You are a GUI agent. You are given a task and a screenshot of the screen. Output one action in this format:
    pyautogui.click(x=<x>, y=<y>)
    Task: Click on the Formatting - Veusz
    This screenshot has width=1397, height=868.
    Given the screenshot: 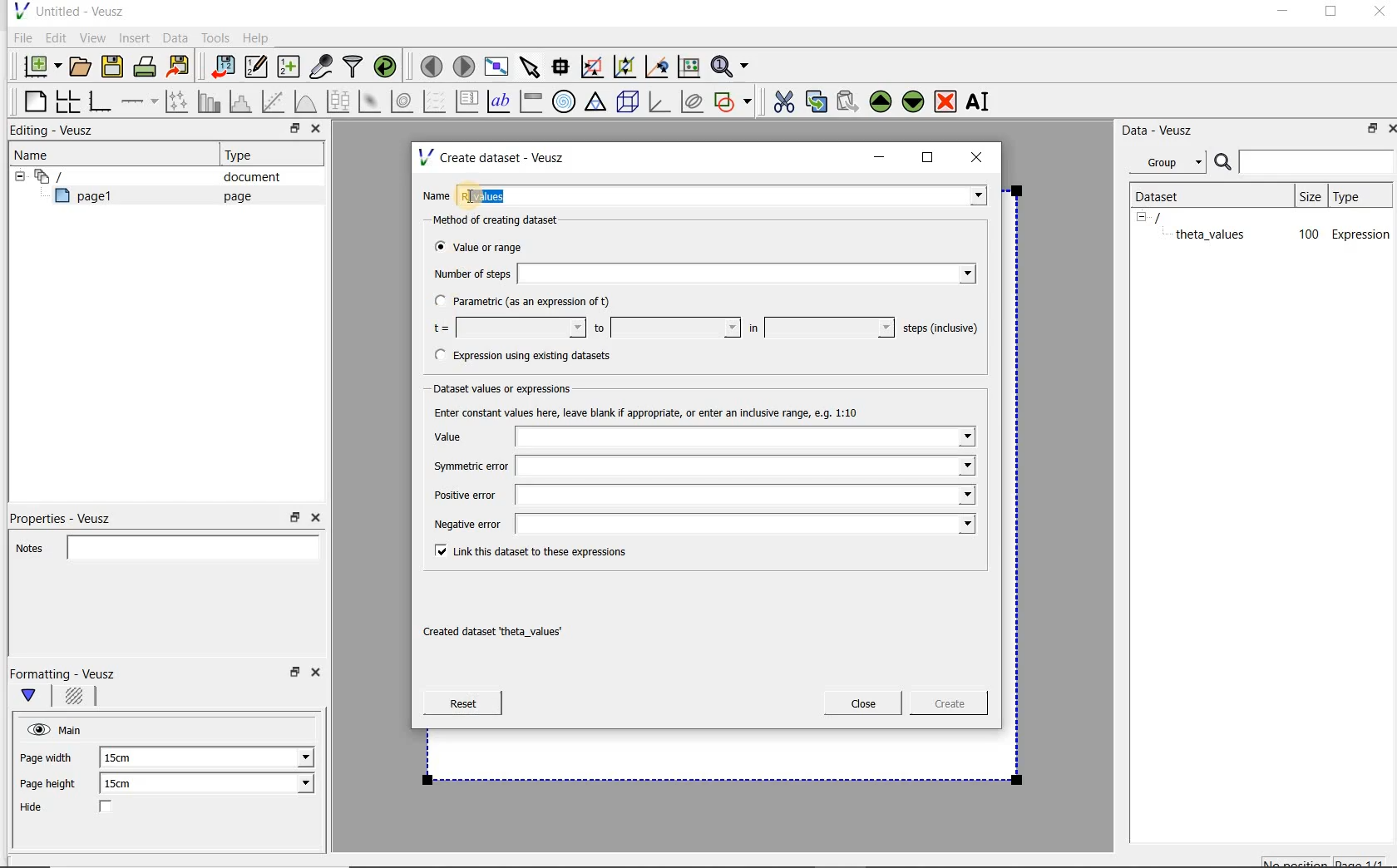 What is the action you would take?
    pyautogui.click(x=65, y=673)
    